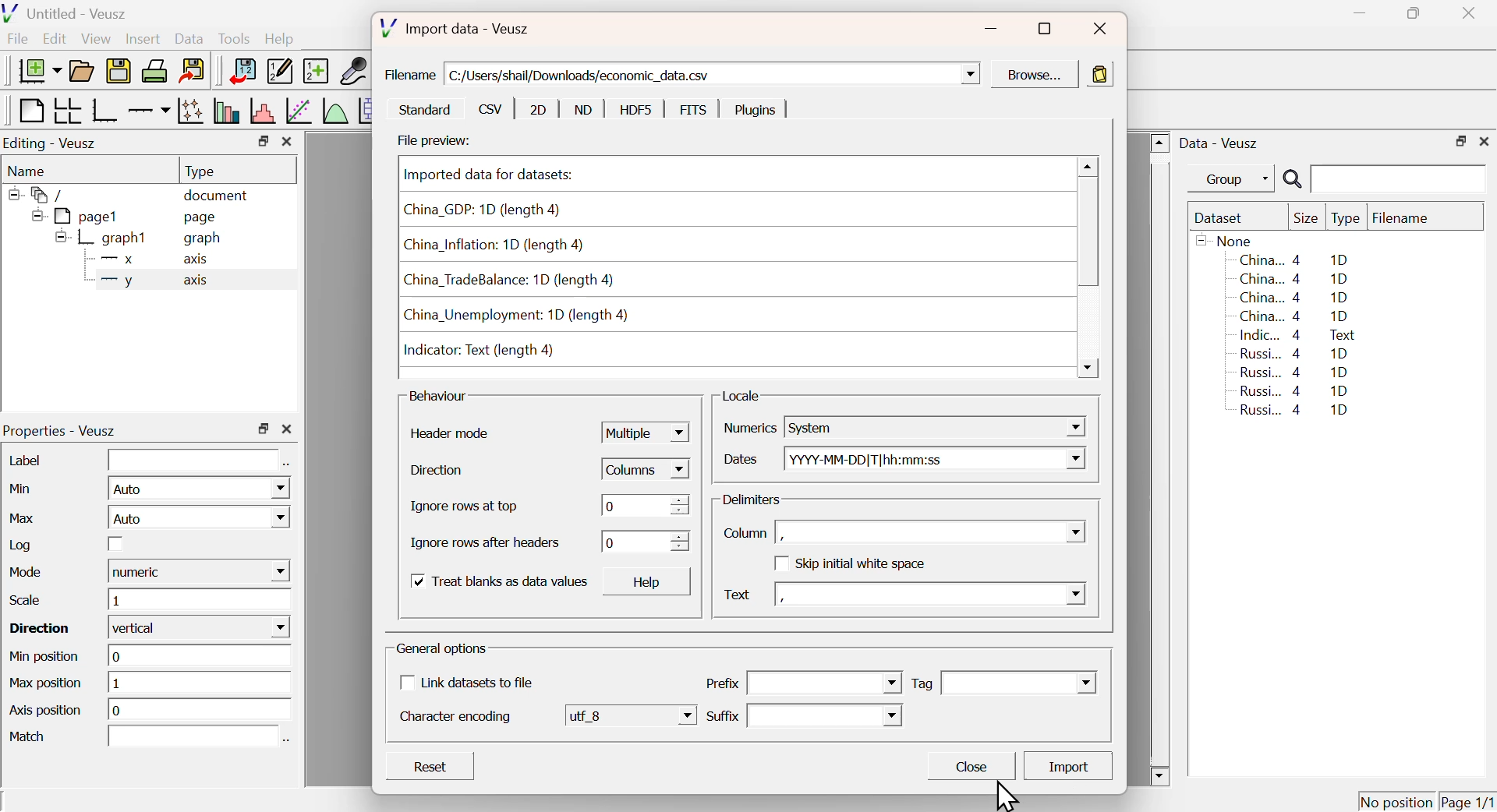 The width and height of the screenshot is (1497, 812). I want to click on File preview:, so click(435, 142).